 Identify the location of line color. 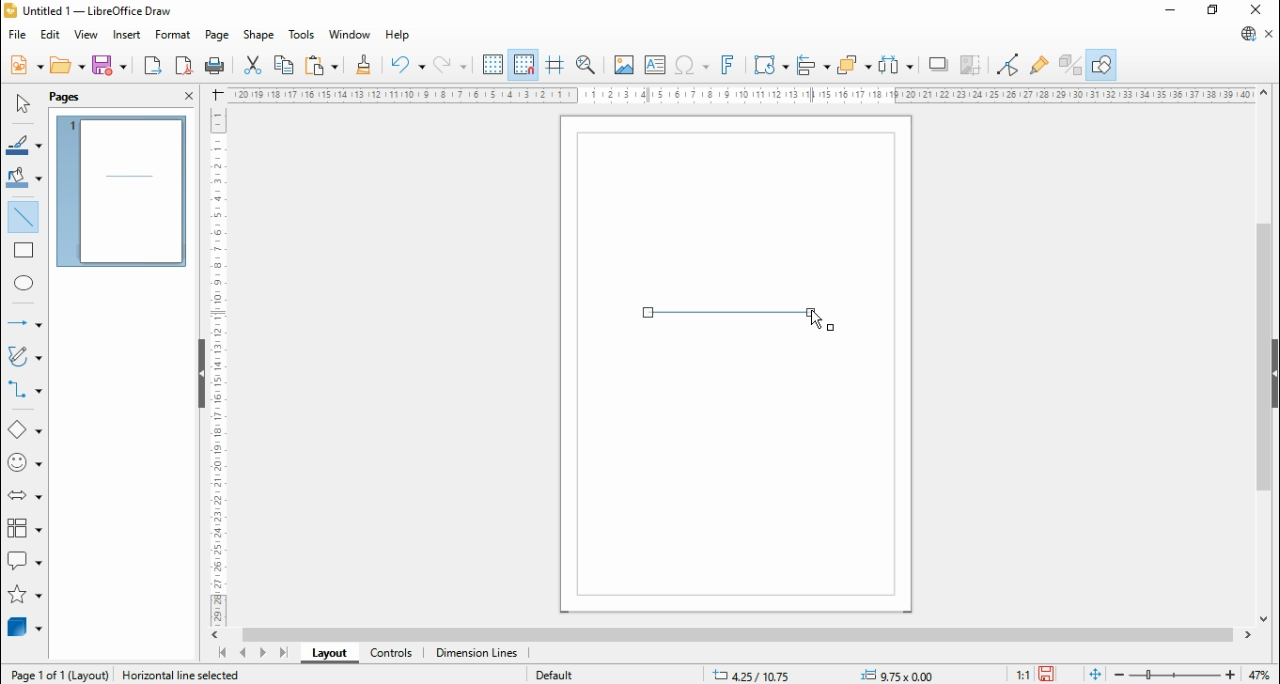
(24, 145).